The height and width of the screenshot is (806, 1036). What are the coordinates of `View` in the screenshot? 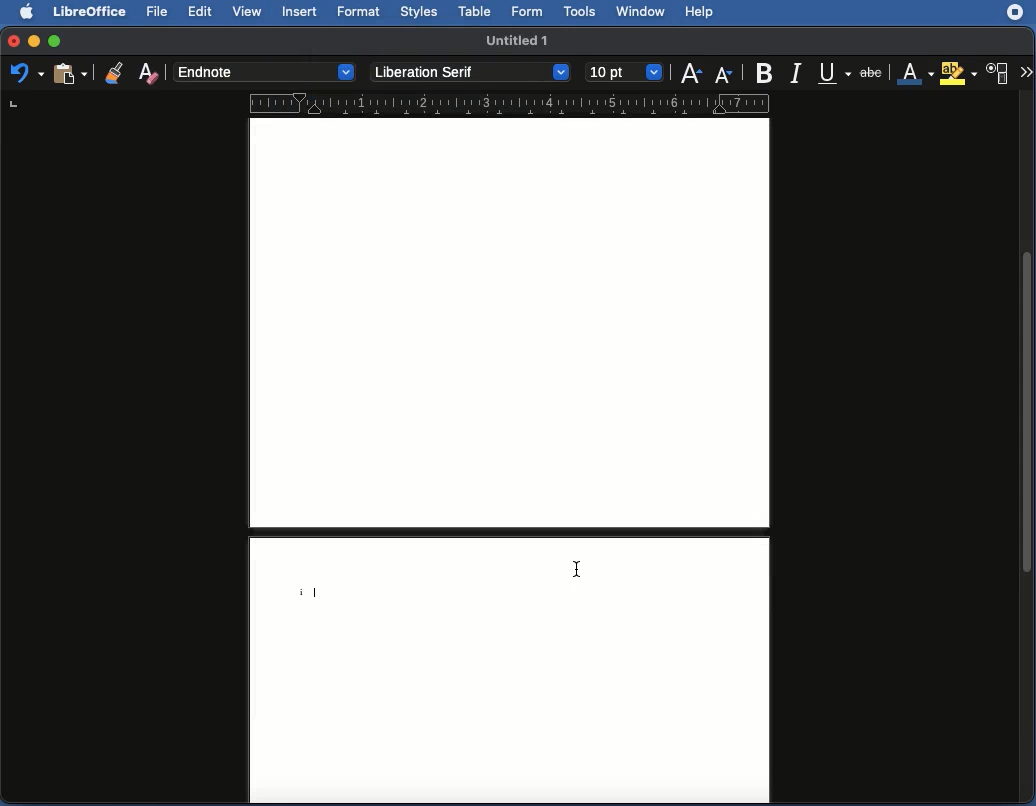 It's located at (247, 12).